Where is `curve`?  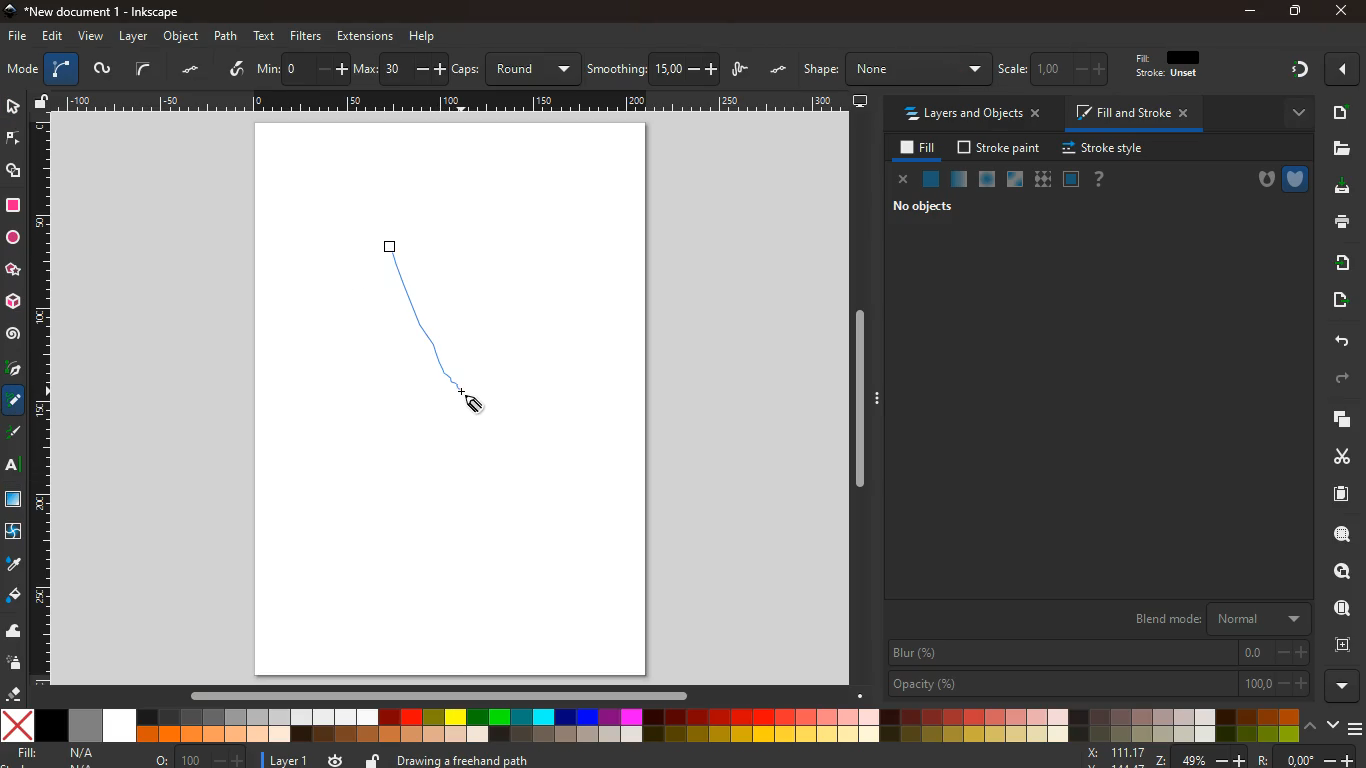 curve is located at coordinates (61, 70).